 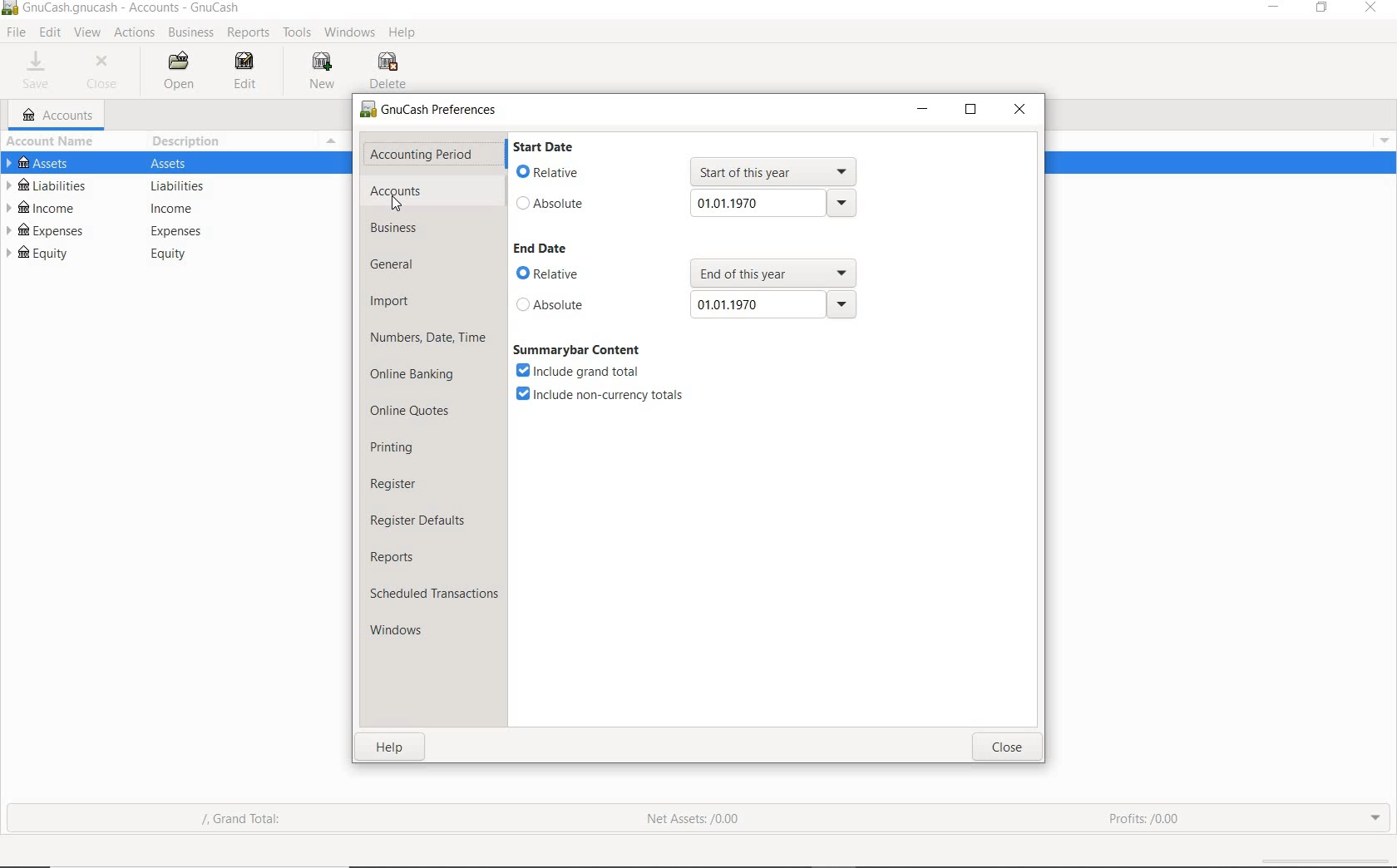 What do you see at coordinates (53, 185) in the screenshot?
I see `LIABILITIES` at bounding box center [53, 185].